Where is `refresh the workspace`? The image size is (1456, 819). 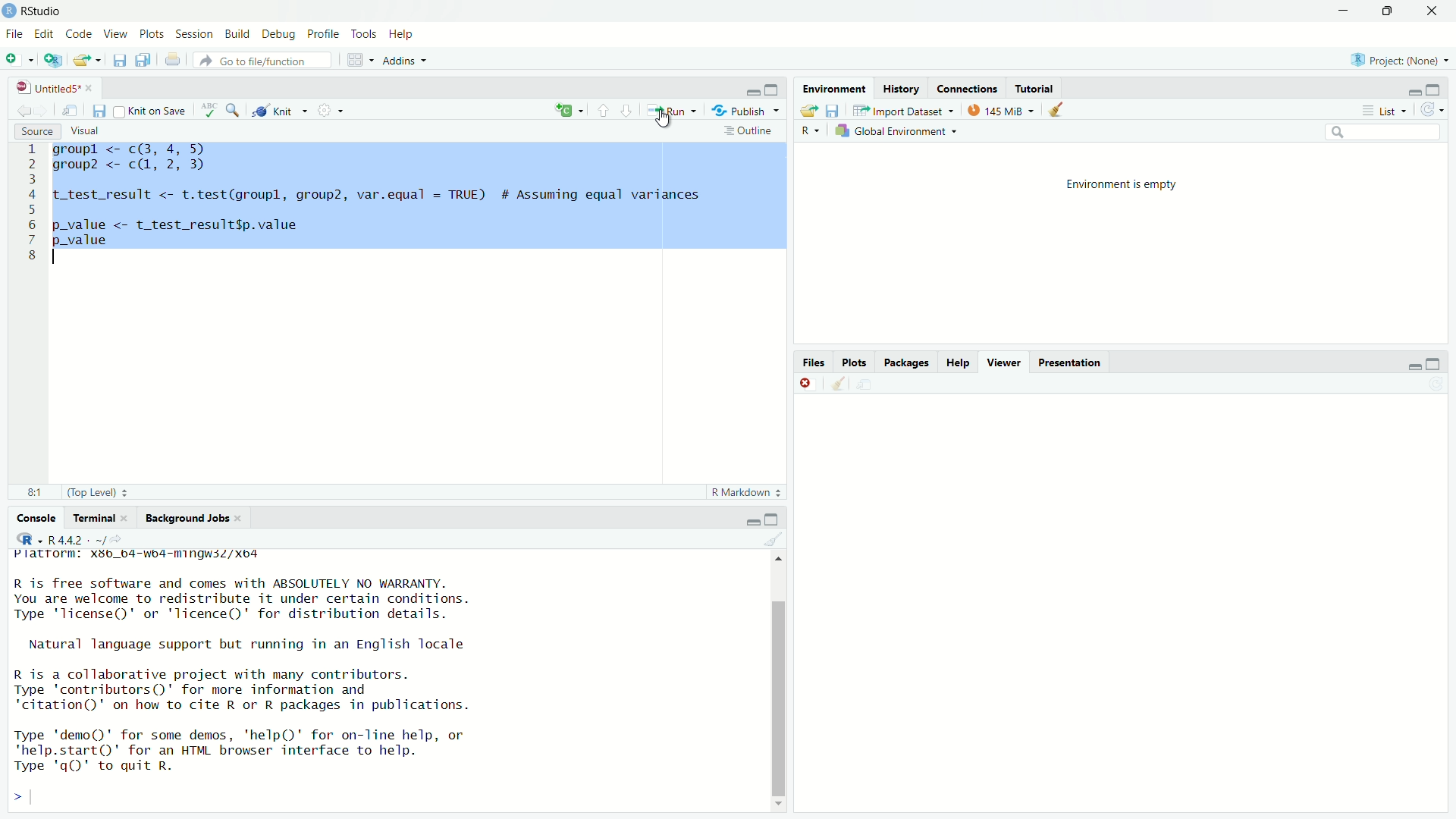
refresh the workspace is located at coordinates (1432, 110).